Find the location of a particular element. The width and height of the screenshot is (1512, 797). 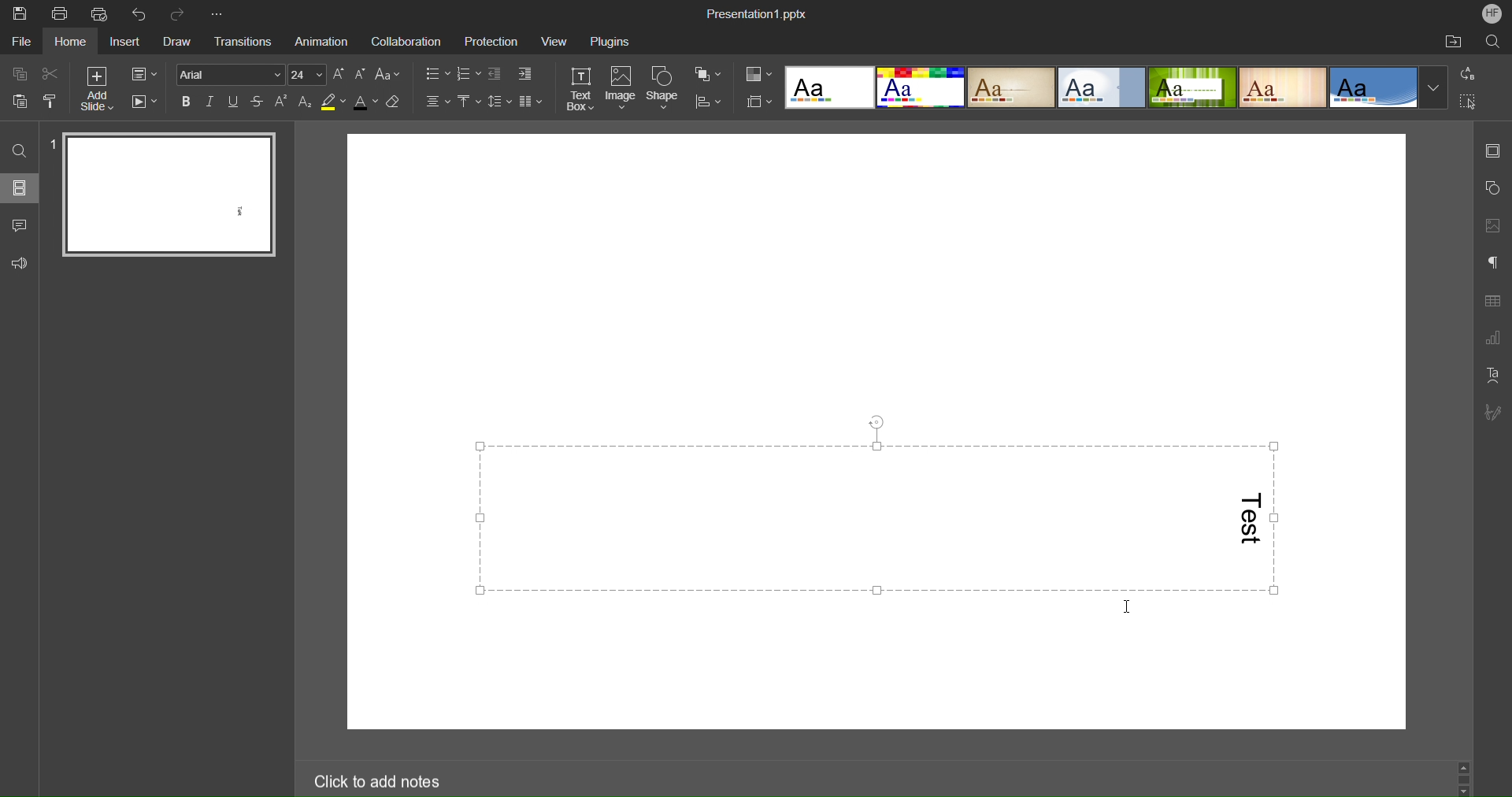

Text Art is located at coordinates (1492, 375).